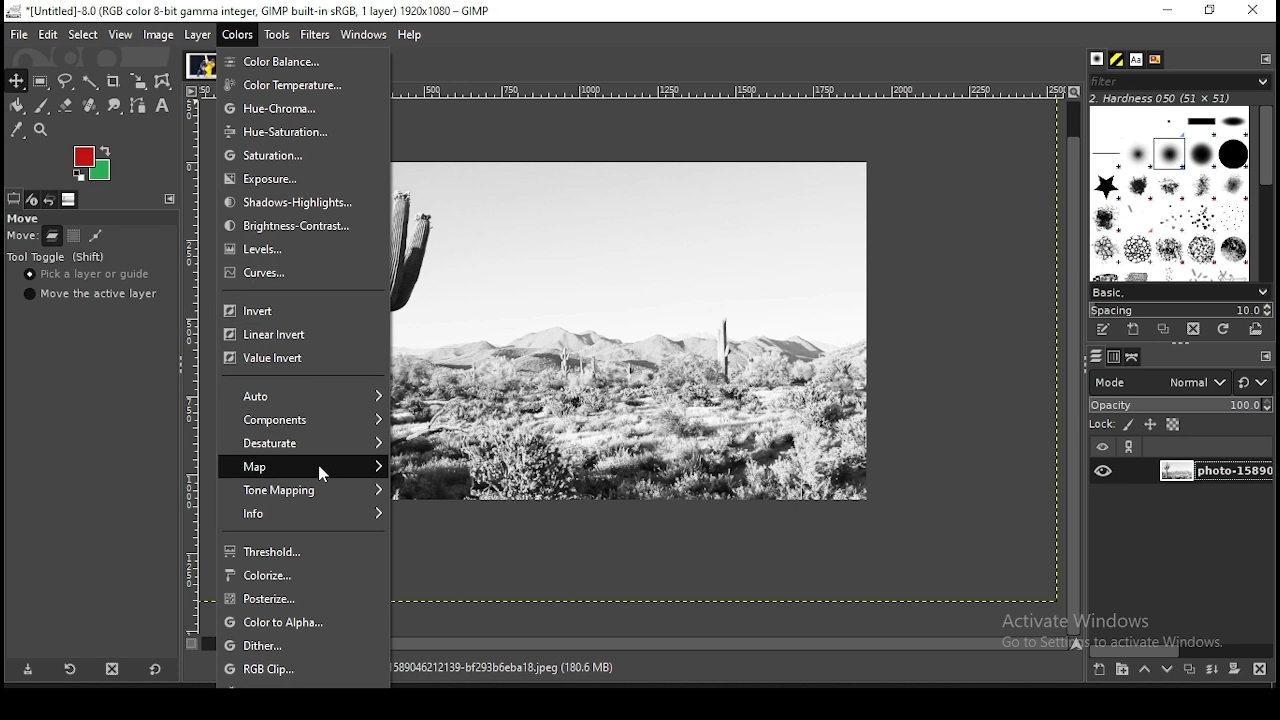 The width and height of the screenshot is (1280, 720). What do you see at coordinates (1188, 669) in the screenshot?
I see `duplicate this layer` at bounding box center [1188, 669].